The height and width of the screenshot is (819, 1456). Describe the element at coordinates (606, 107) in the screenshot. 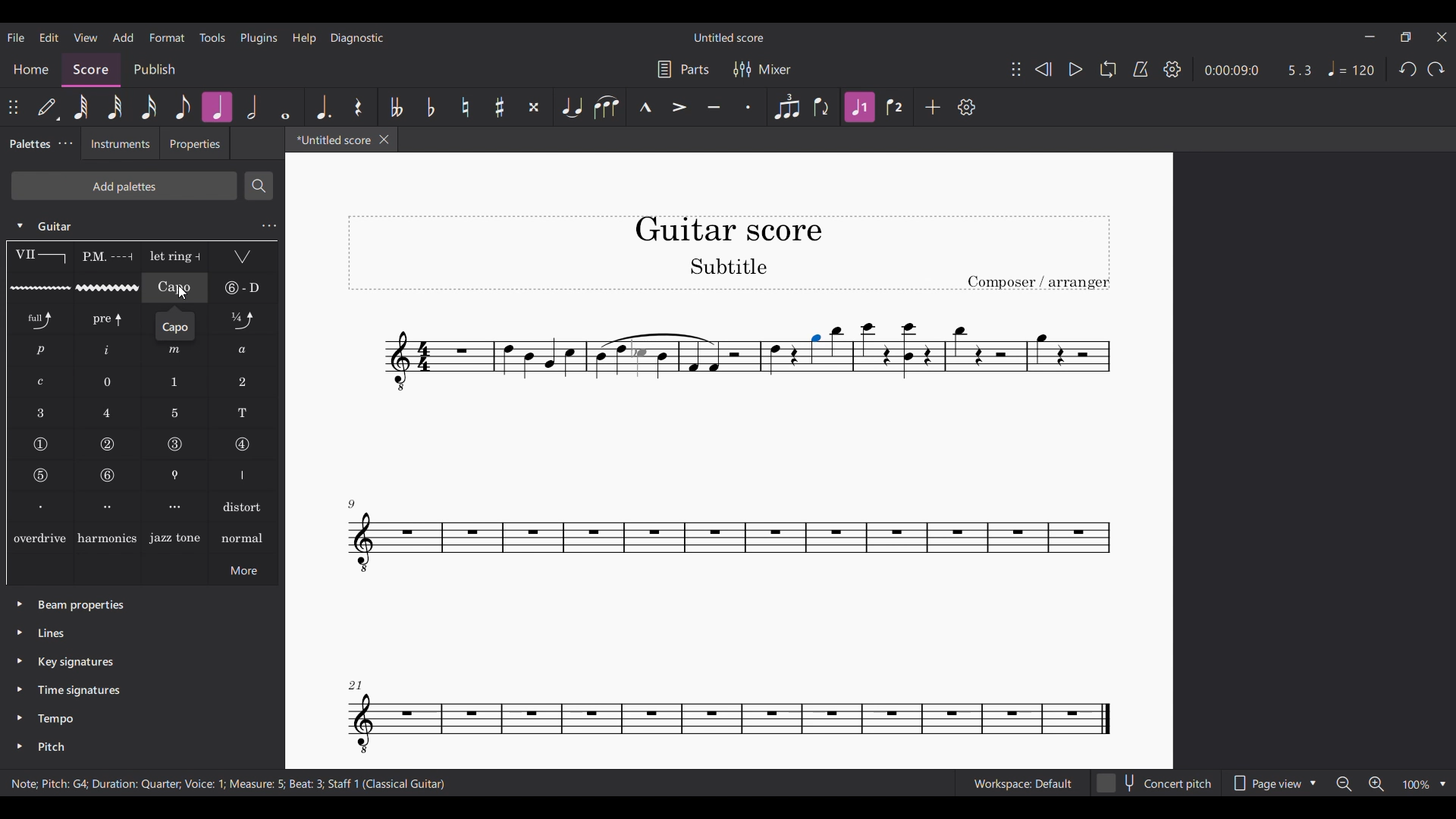

I see `Slur` at that location.